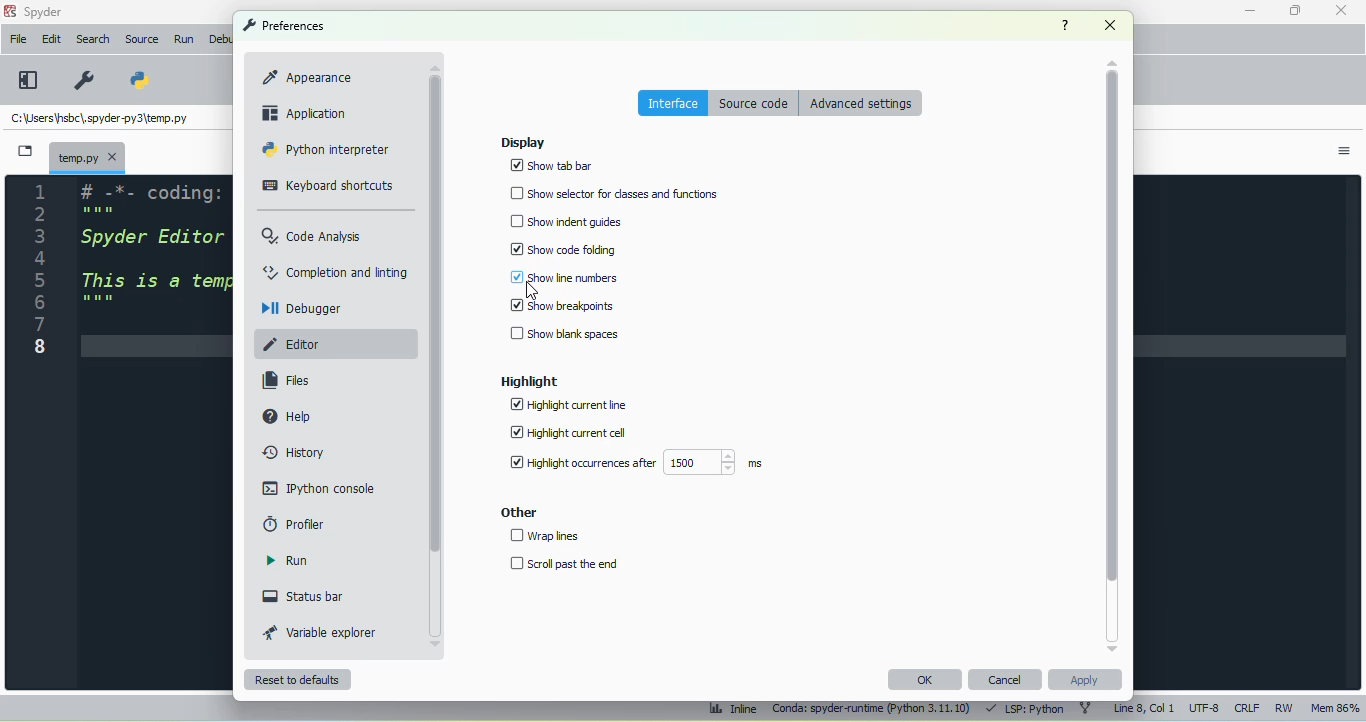  What do you see at coordinates (44, 12) in the screenshot?
I see `spyder` at bounding box center [44, 12].